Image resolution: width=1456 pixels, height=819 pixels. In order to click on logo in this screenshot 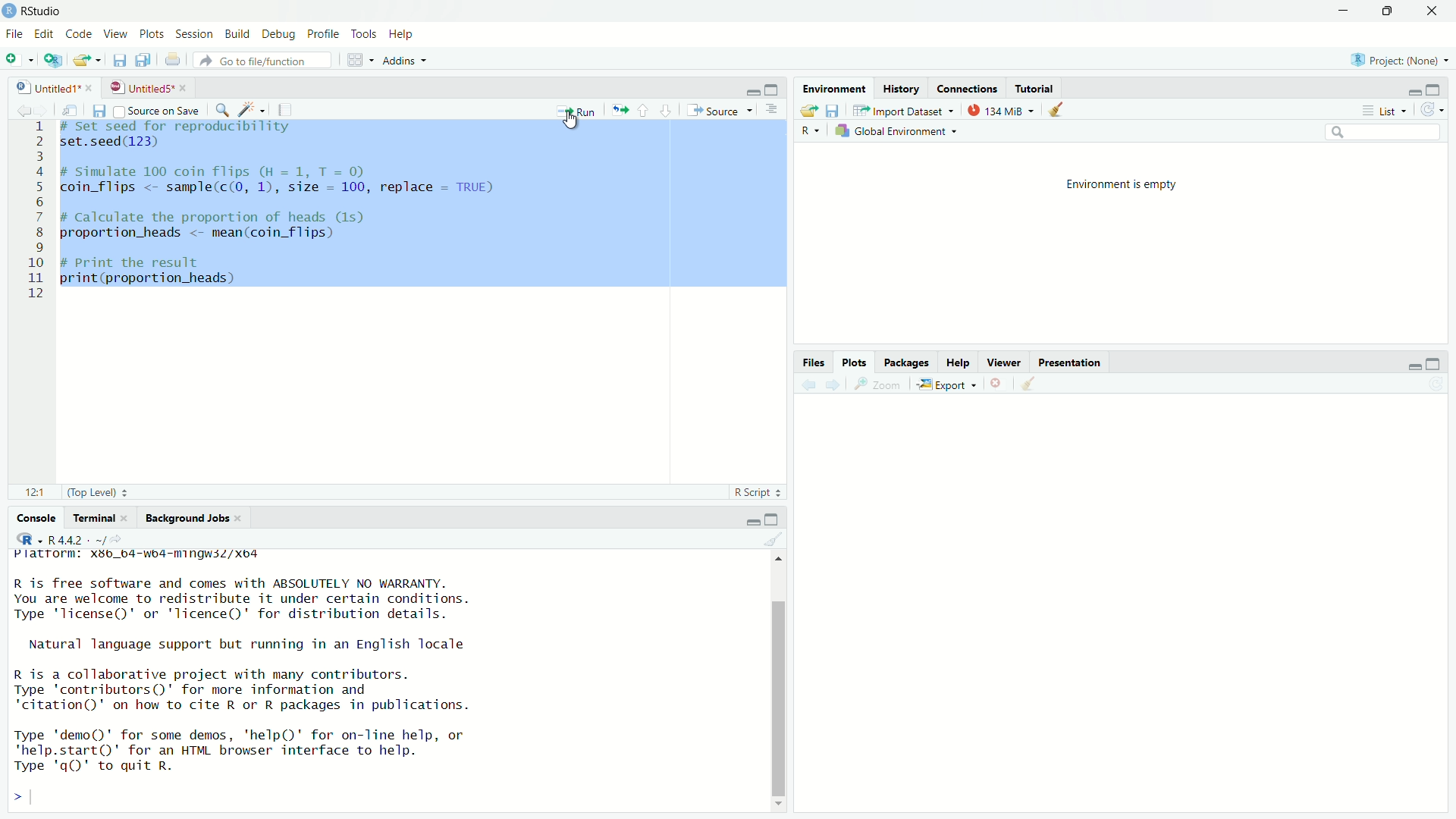, I will do `click(9, 11)`.